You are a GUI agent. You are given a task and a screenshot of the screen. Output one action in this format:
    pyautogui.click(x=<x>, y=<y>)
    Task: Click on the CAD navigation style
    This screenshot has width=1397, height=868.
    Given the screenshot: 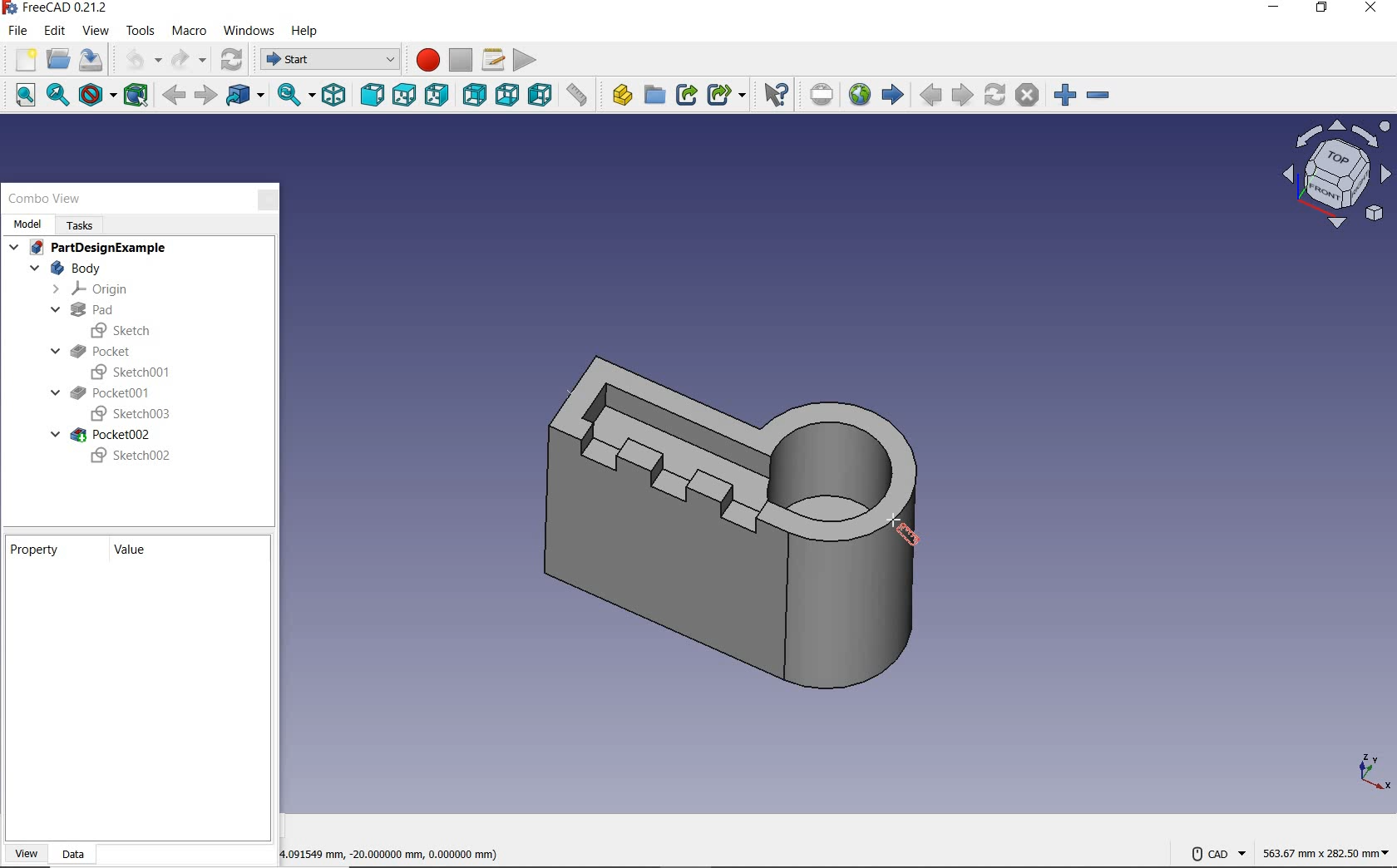 What is the action you would take?
    pyautogui.click(x=1217, y=853)
    